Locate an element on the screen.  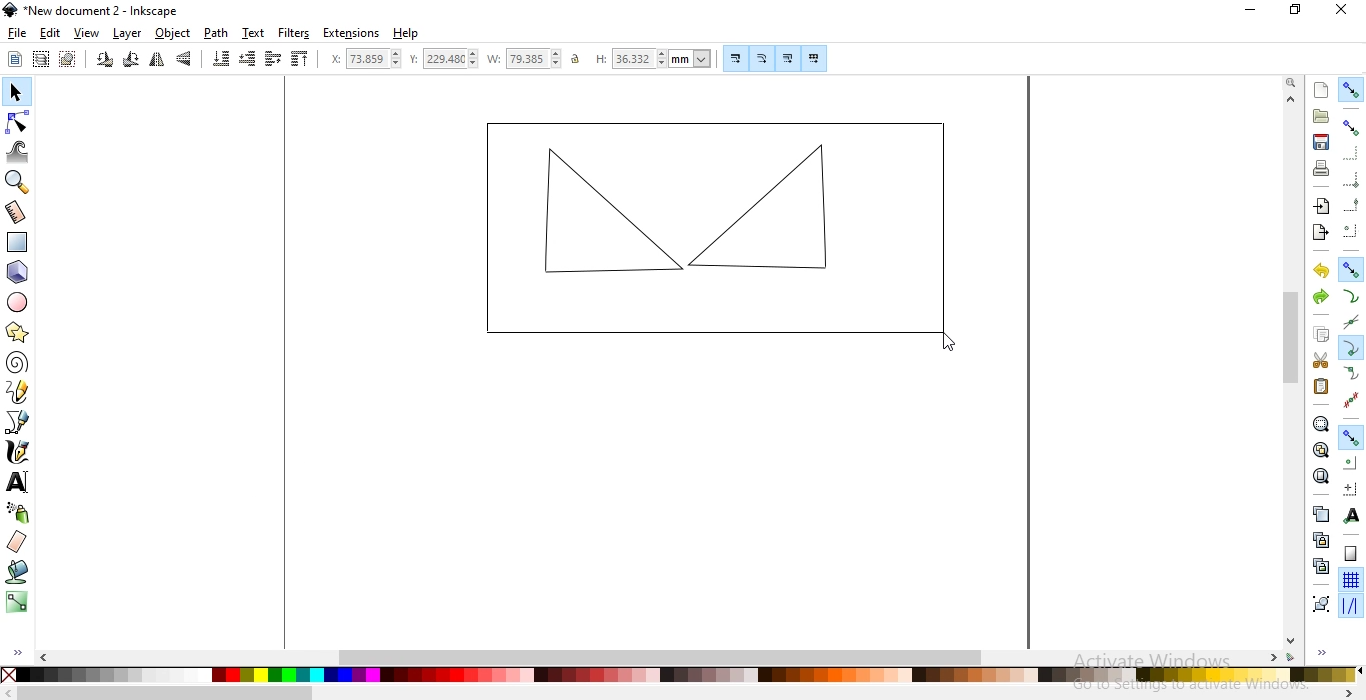
draw calligraphic or brush strokes is located at coordinates (18, 454).